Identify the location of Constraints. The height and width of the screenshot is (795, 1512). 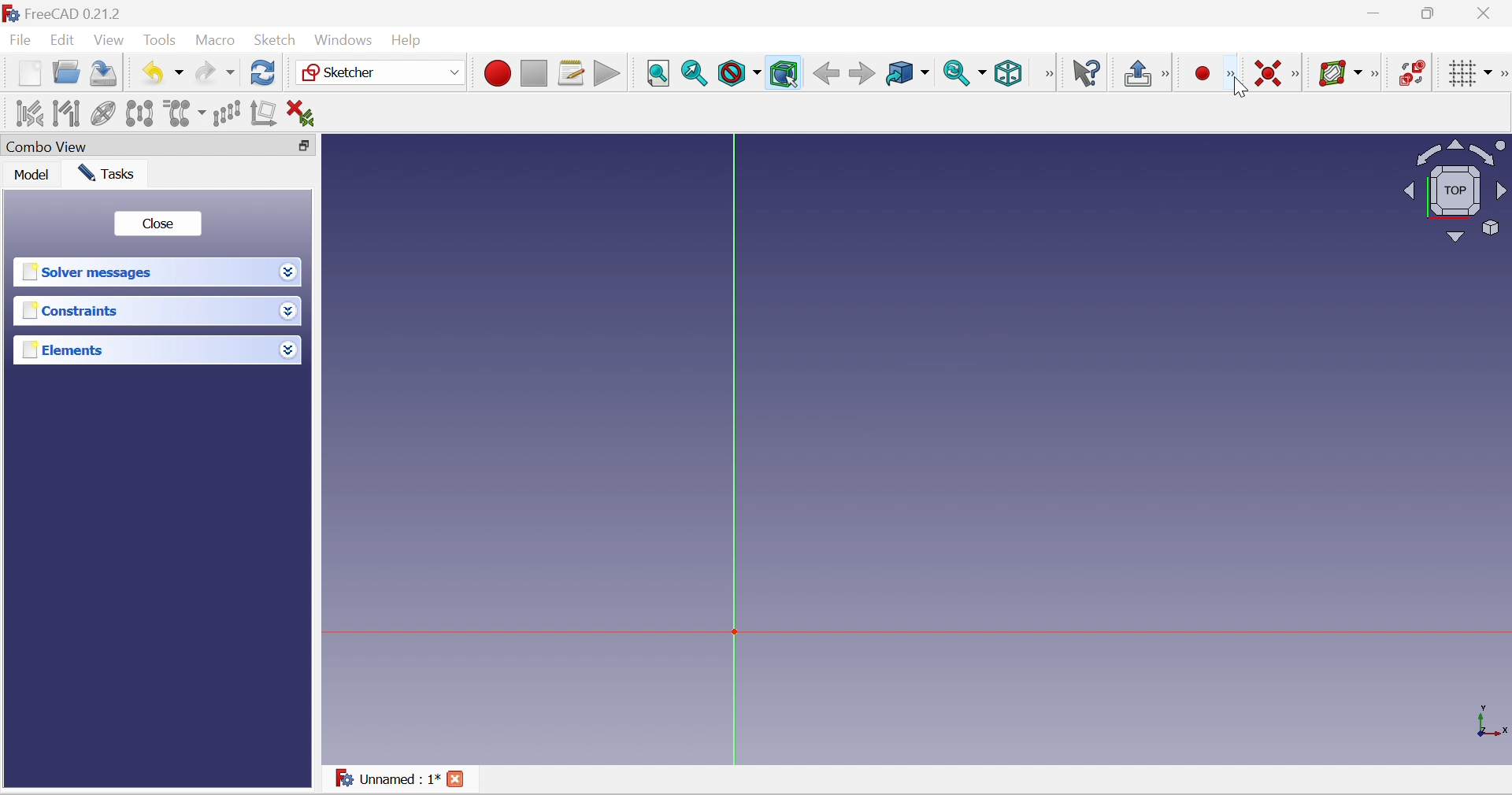
(143, 311).